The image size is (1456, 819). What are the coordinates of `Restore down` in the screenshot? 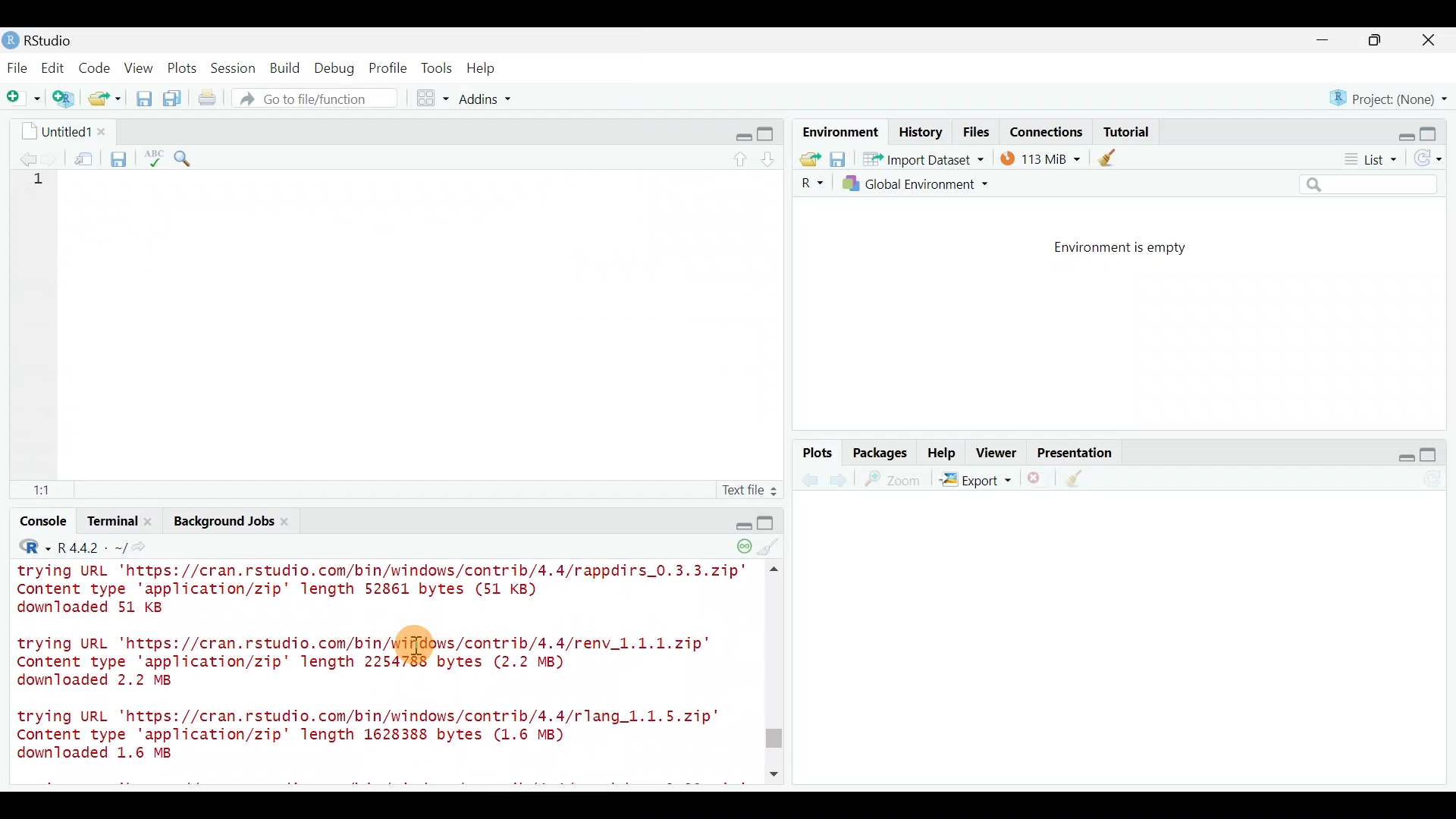 It's located at (1398, 455).